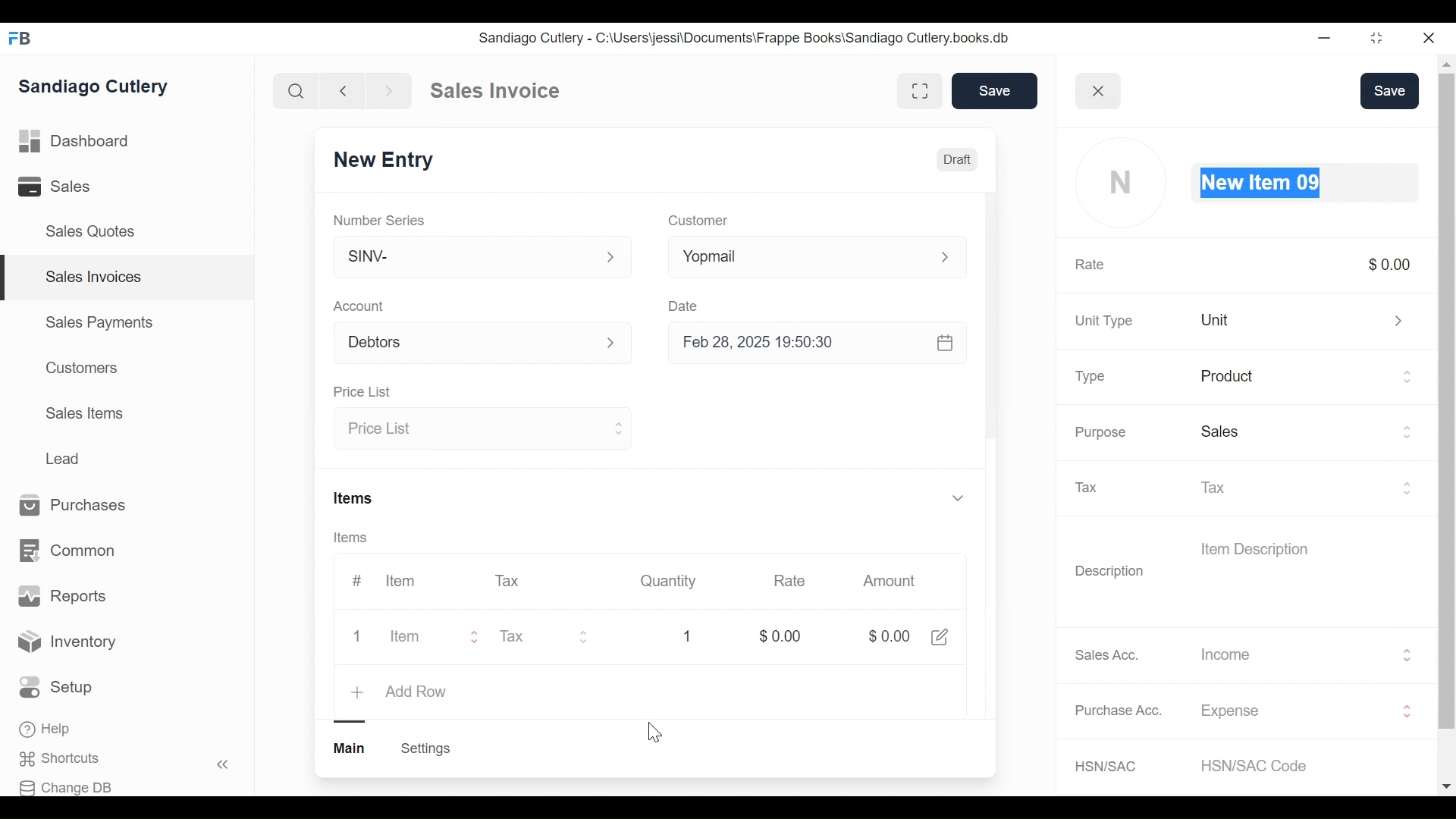 The height and width of the screenshot is (819, 1456). What do you see at coordinates (1104, 655) in the screenshot?
I see `Sales Acc.` at bounding box center [1104, 655].